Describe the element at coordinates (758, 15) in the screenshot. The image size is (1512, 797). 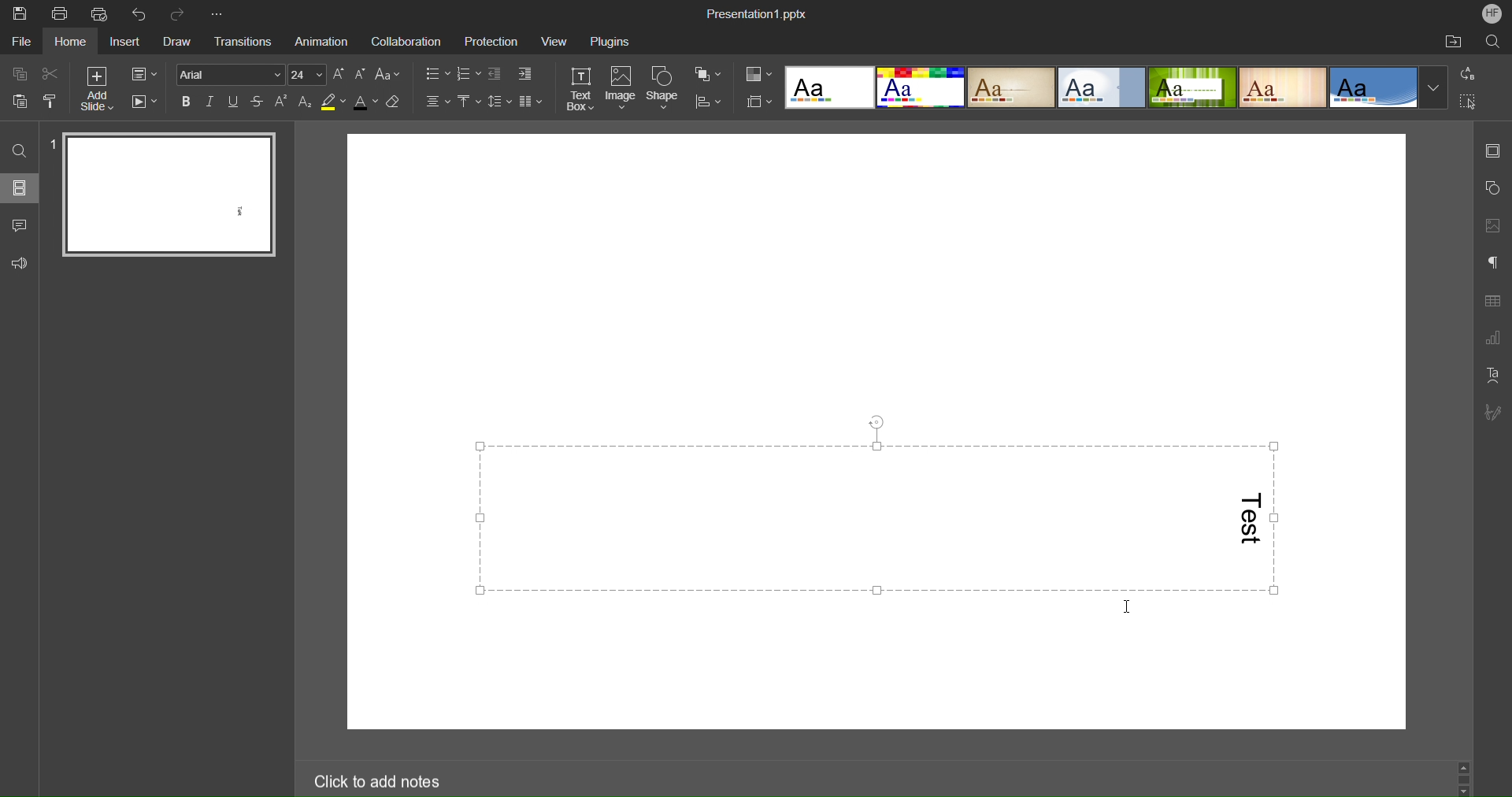
I see `Presentation1` at that location.